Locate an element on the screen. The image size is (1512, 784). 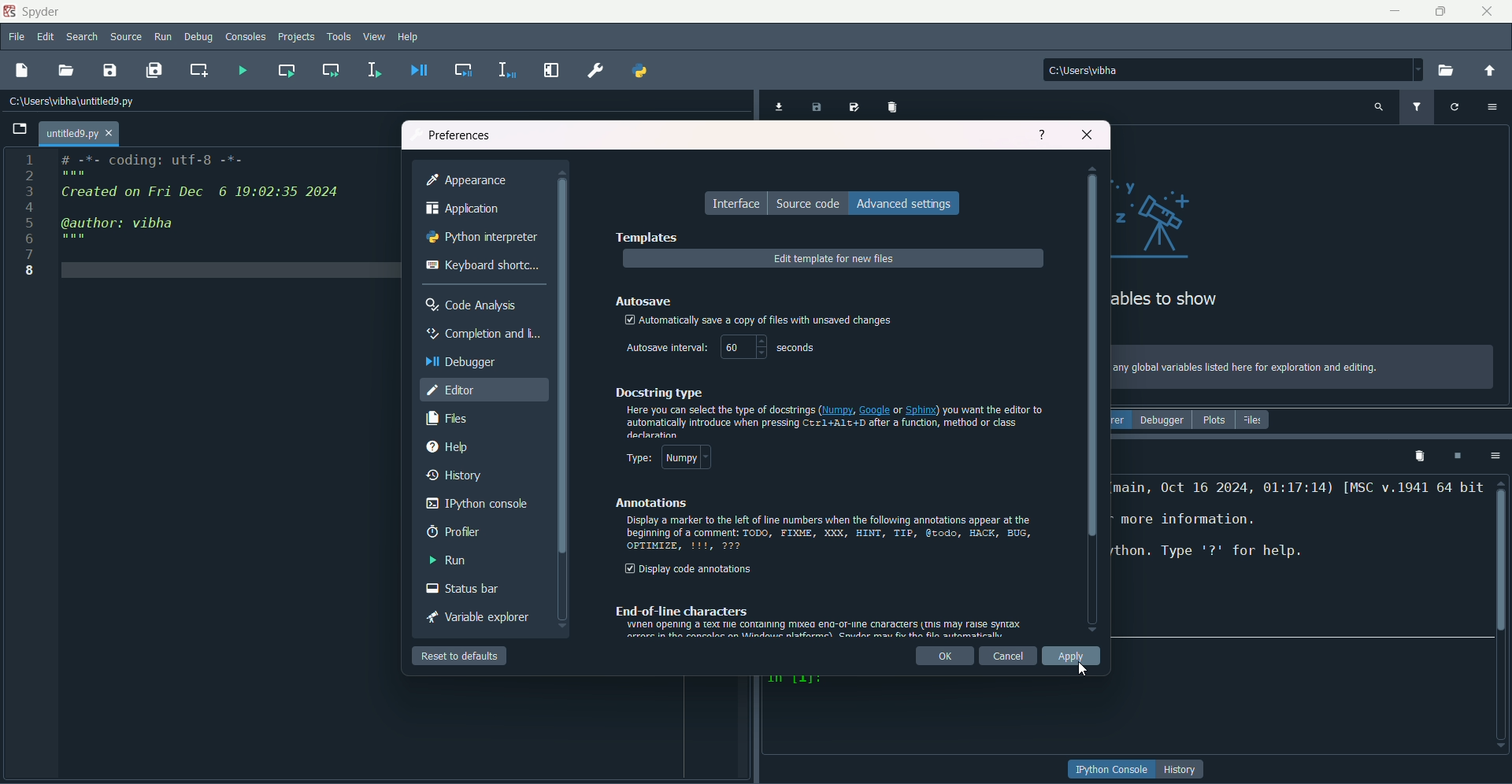
debug is located at coordinates (199, 38).